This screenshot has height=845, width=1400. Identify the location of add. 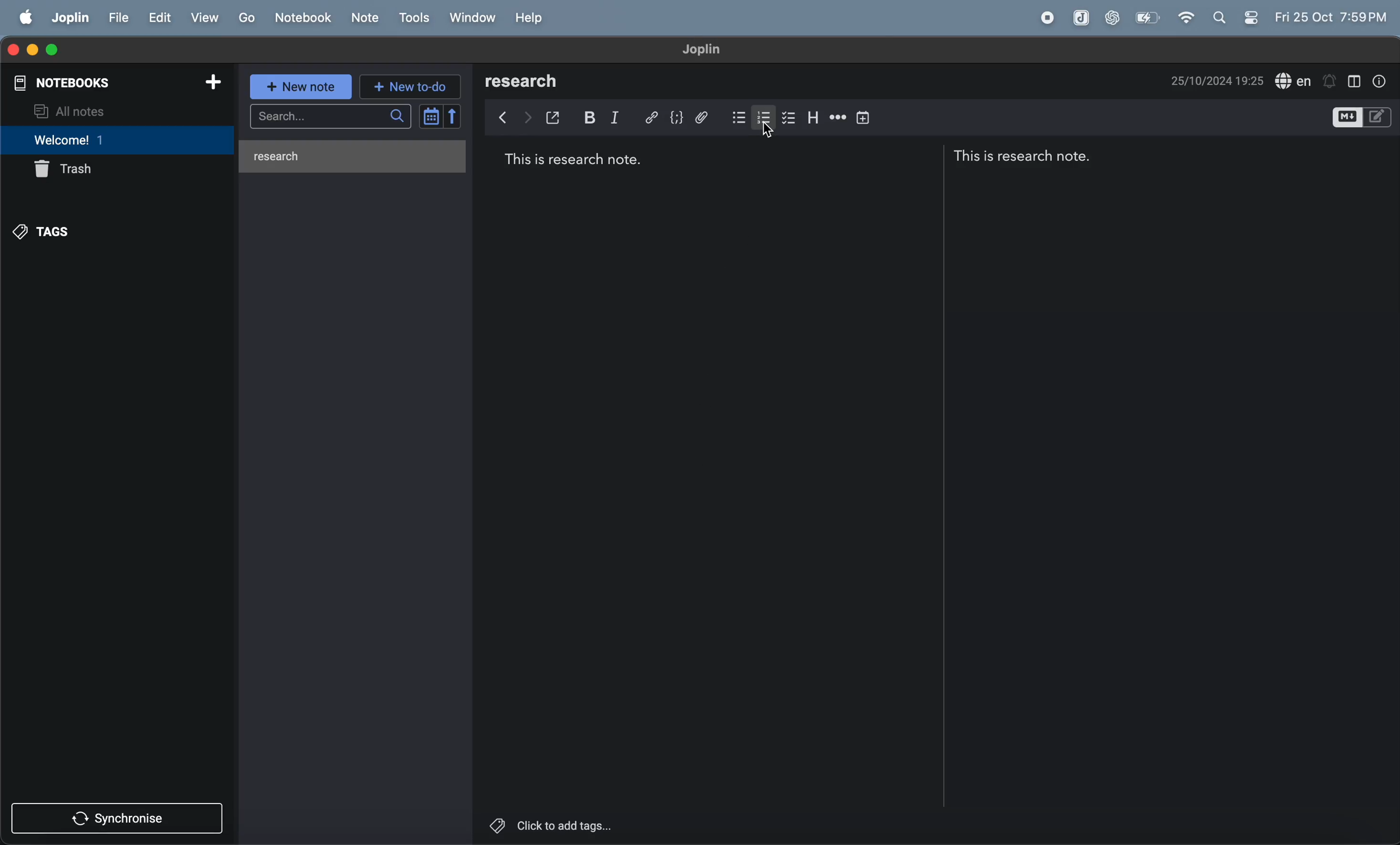
(207, 81).